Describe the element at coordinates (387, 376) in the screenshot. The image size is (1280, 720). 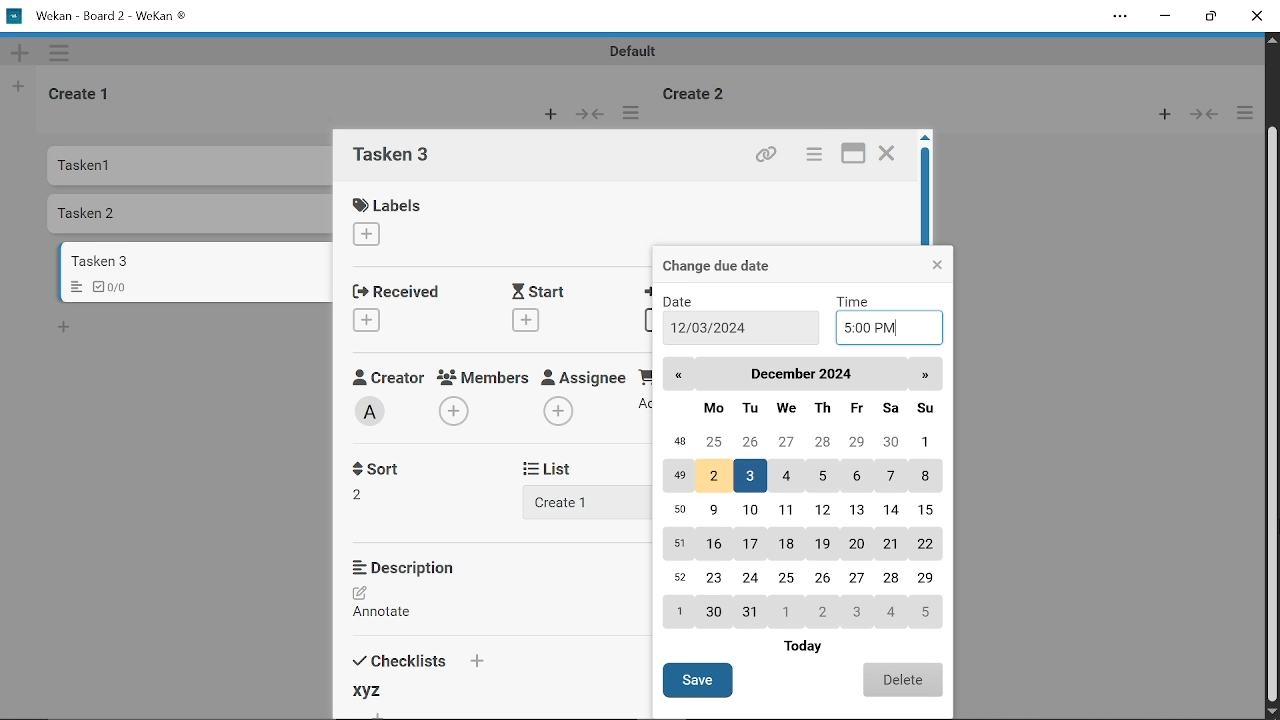
I see `Creator` at that location.